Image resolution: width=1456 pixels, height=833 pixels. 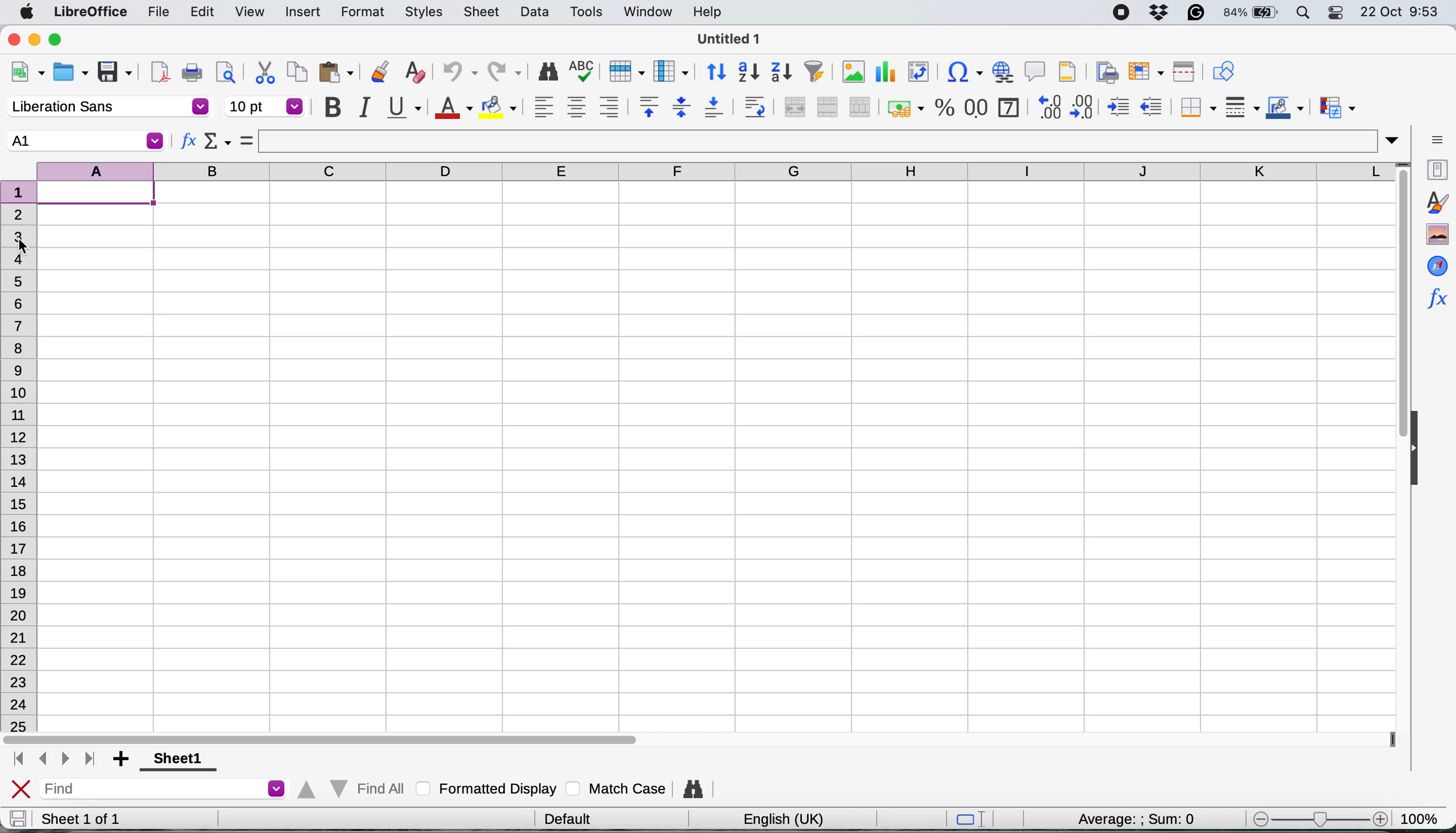 I want to click on unmerge, so click(x=860, y=108).